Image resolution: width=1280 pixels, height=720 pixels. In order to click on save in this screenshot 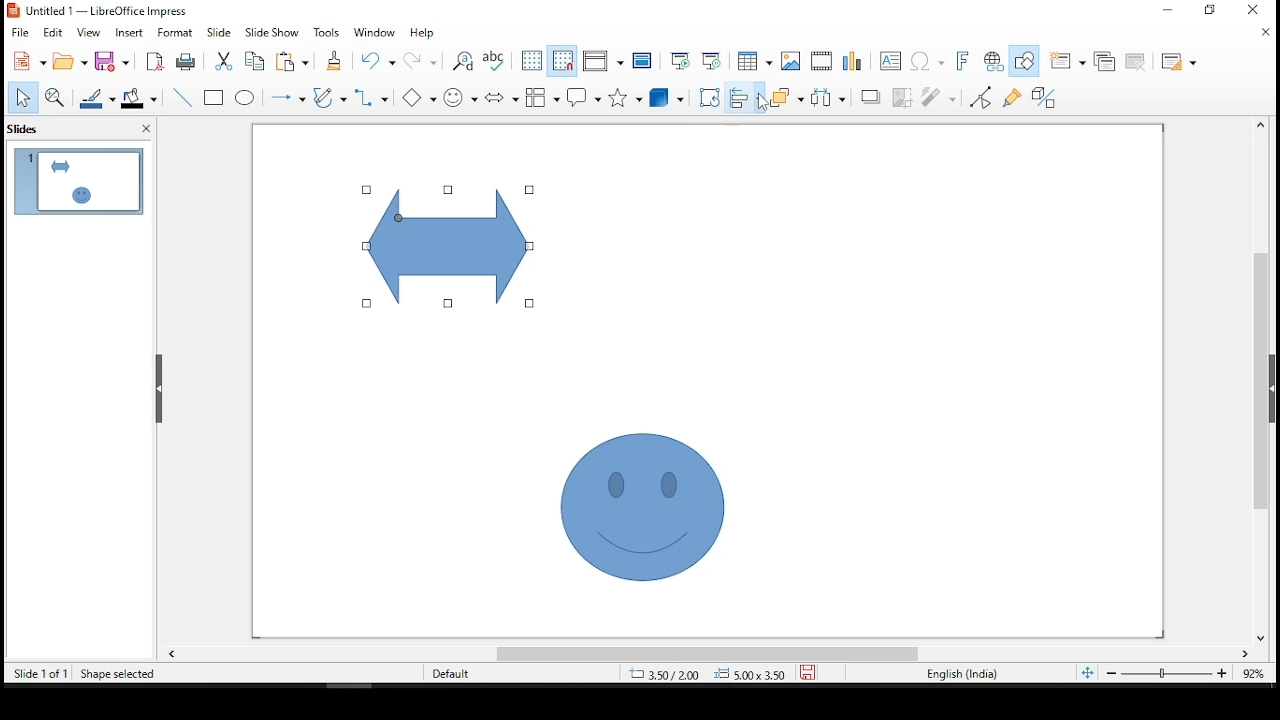, I will do `click(808, 673)`.